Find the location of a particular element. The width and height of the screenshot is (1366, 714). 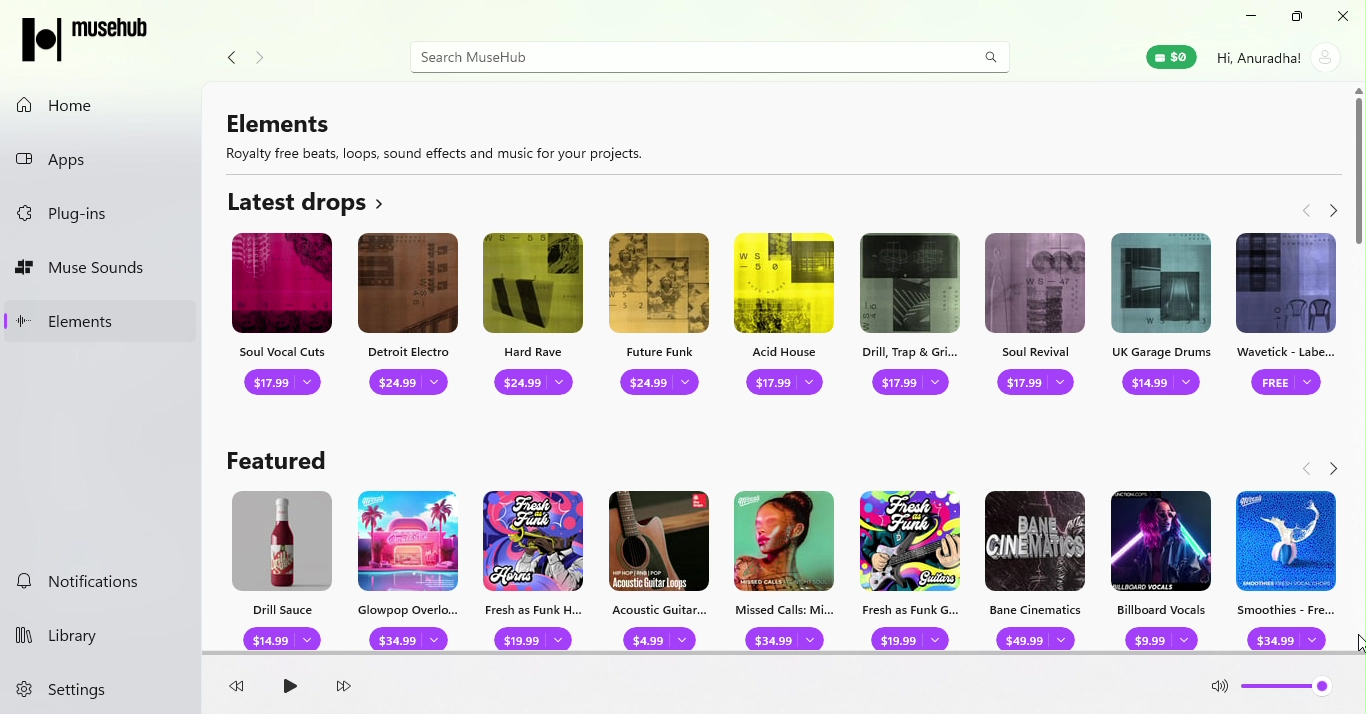

Hard Rave is located at coordinates (536, 315).